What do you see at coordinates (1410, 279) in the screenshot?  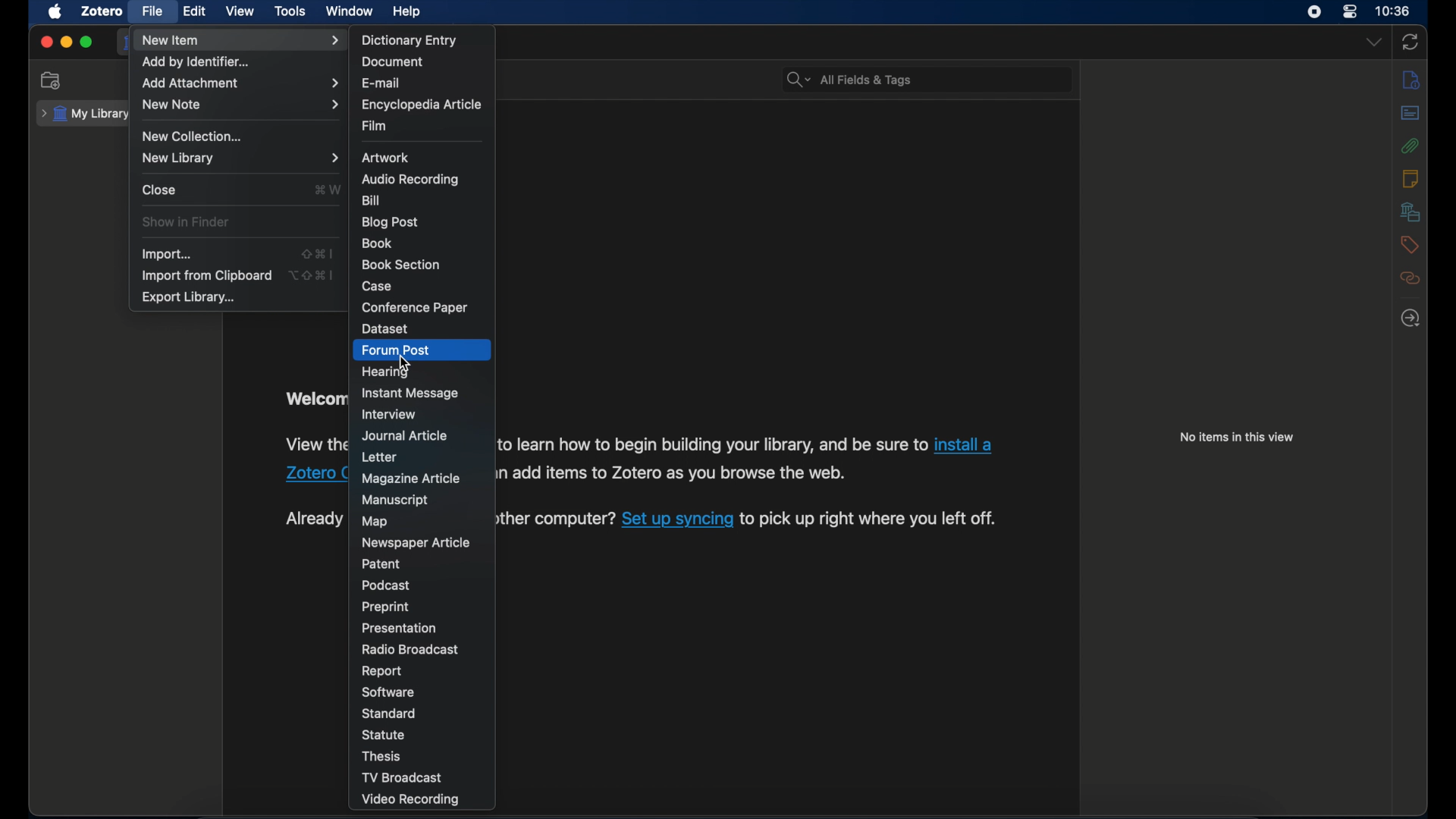 I see `related` at bounding box center [1410, 279].